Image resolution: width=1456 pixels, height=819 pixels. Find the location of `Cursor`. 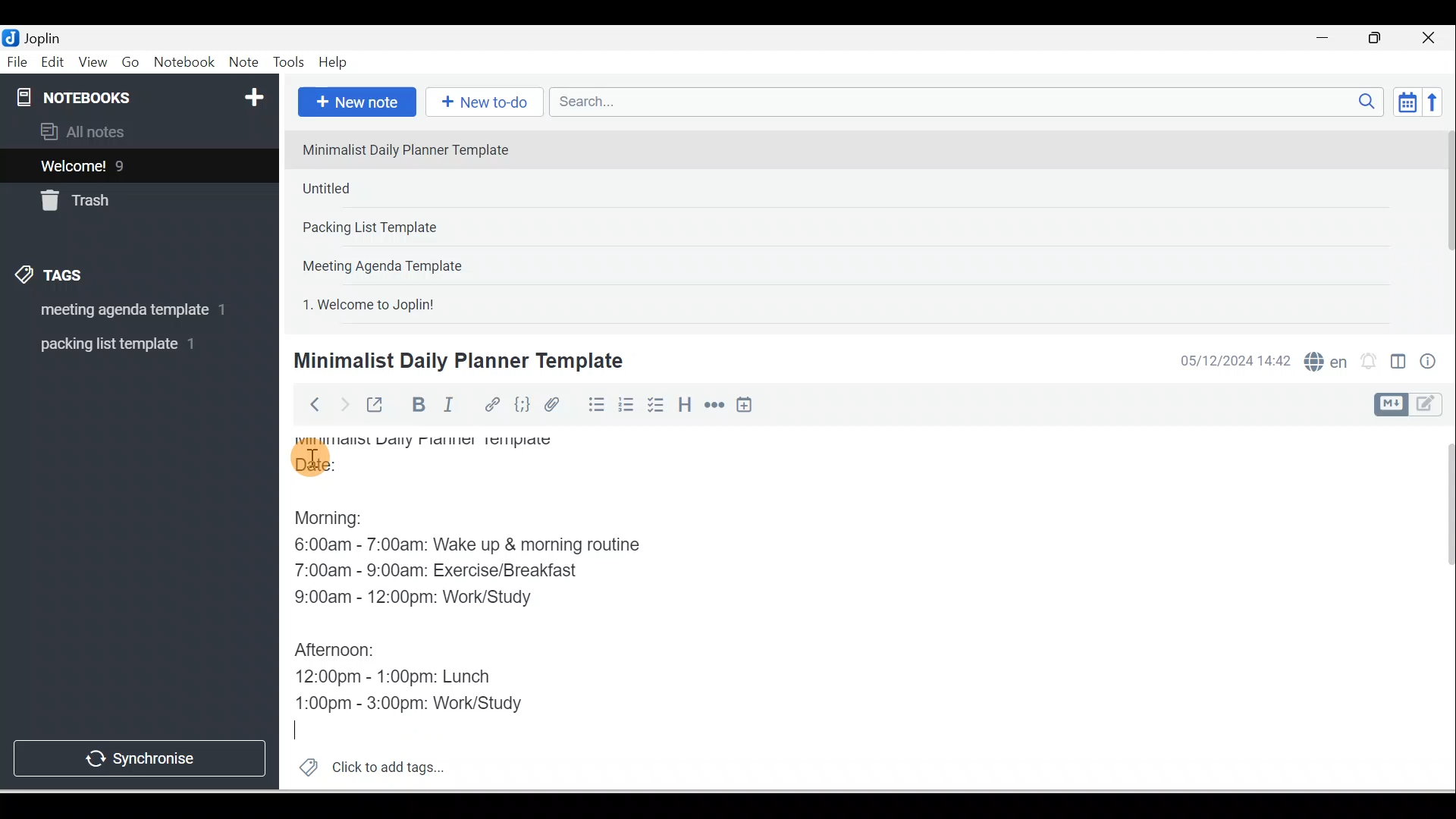

Cursor is located at coordinates (298, 732).